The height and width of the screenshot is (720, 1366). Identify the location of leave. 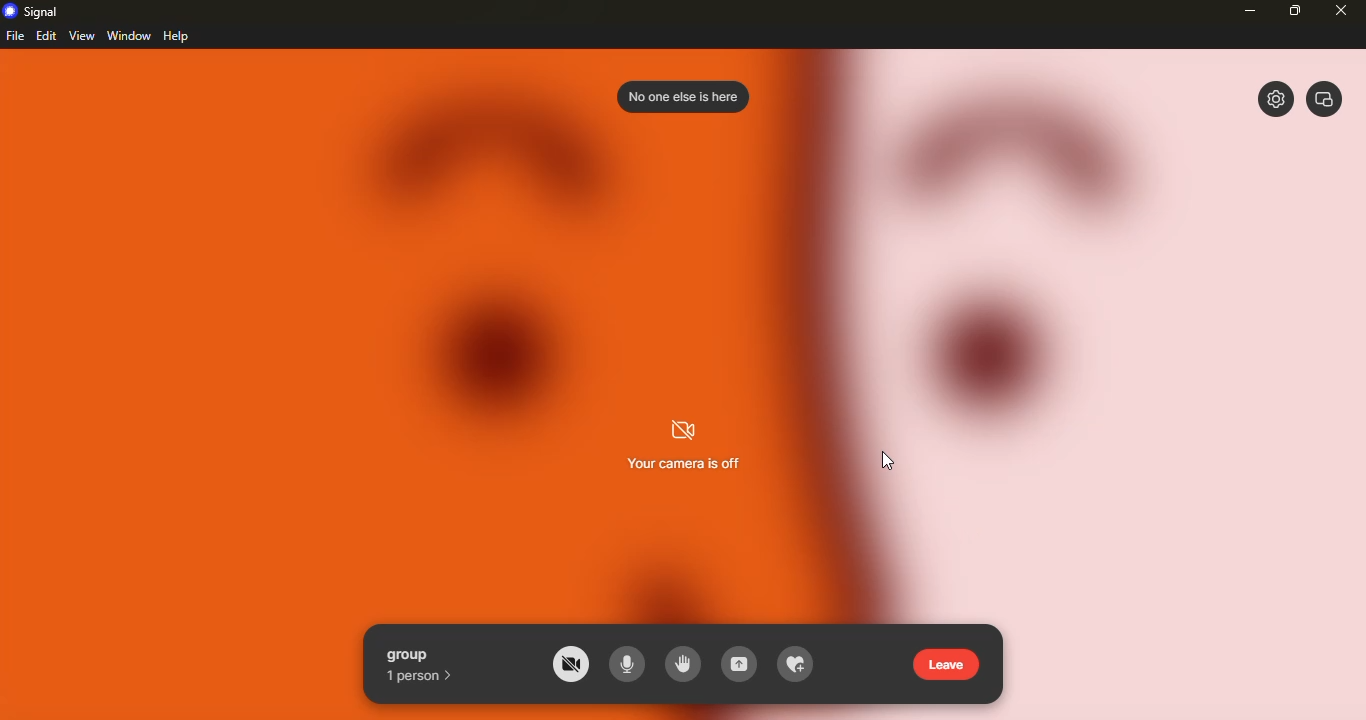
(947, 663).